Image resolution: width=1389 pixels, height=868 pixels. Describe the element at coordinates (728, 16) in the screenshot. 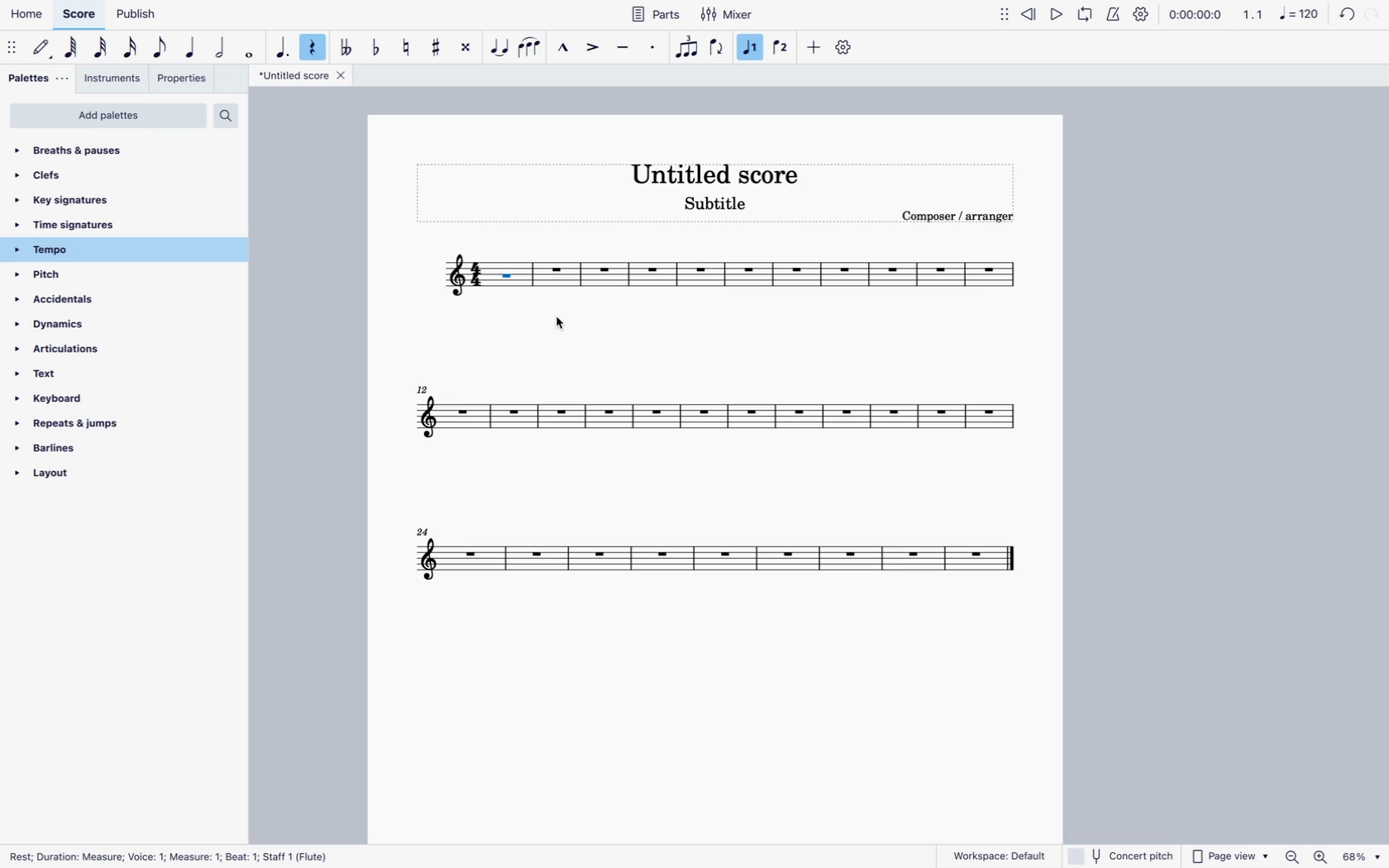

I see `mixer` at that location.